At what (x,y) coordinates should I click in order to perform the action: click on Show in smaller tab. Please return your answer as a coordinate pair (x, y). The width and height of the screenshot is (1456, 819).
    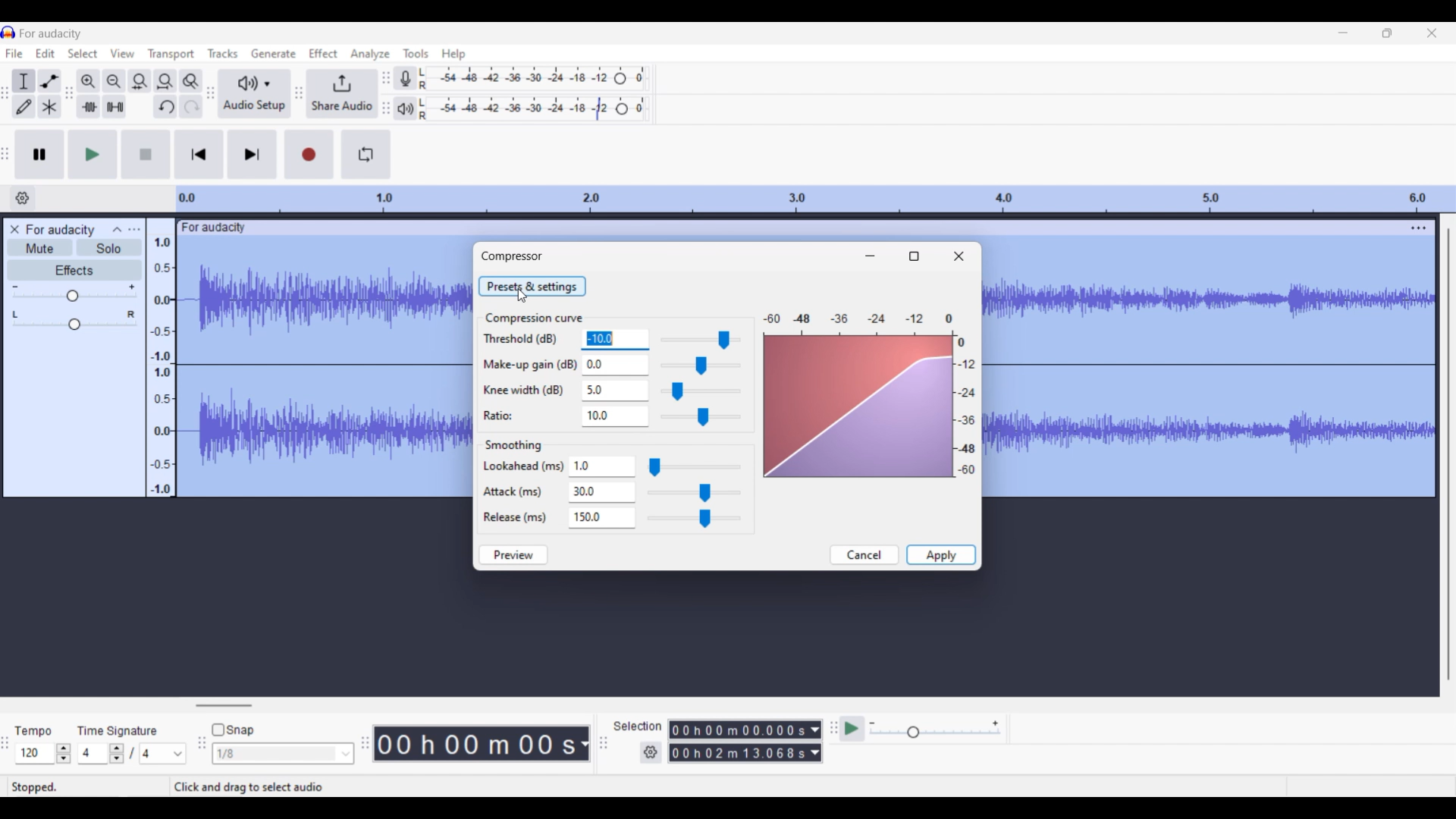
    Looking at the image, I should click on (1388, 33).